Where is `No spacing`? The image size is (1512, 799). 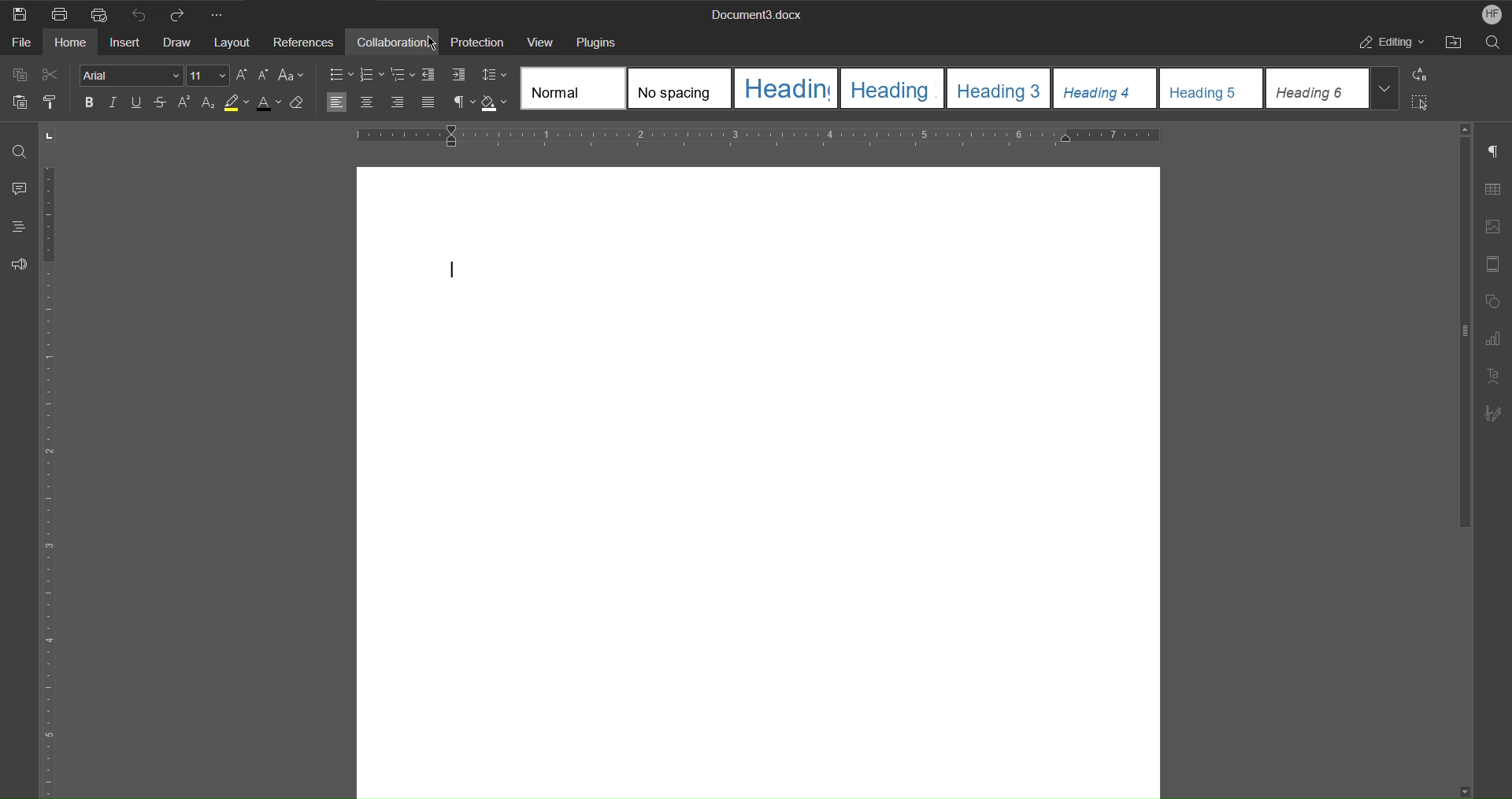
No spacing is located at coordinates (676, 87).